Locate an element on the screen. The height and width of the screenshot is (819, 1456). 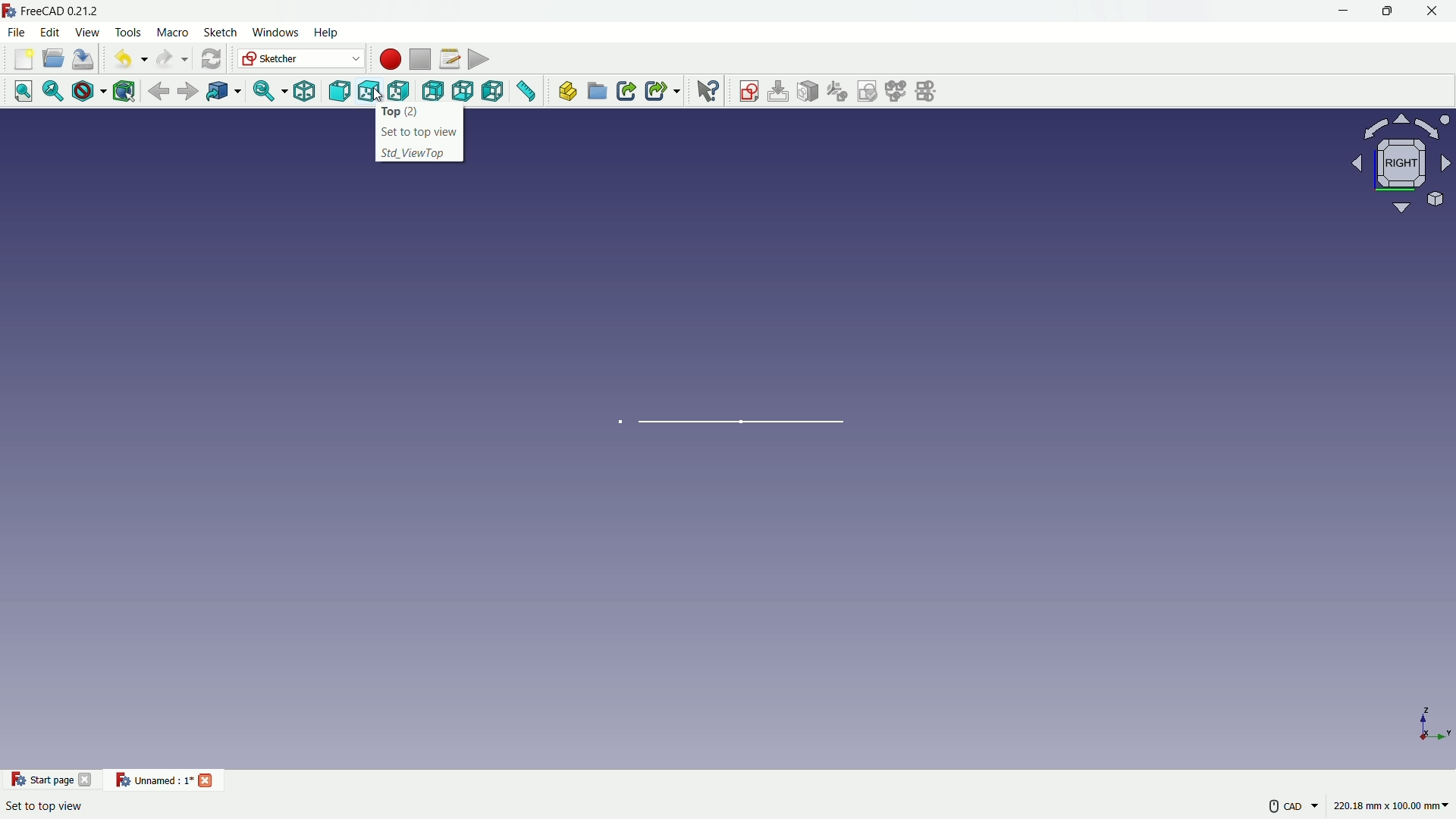
set to top view is located at coordinates (44, 805).